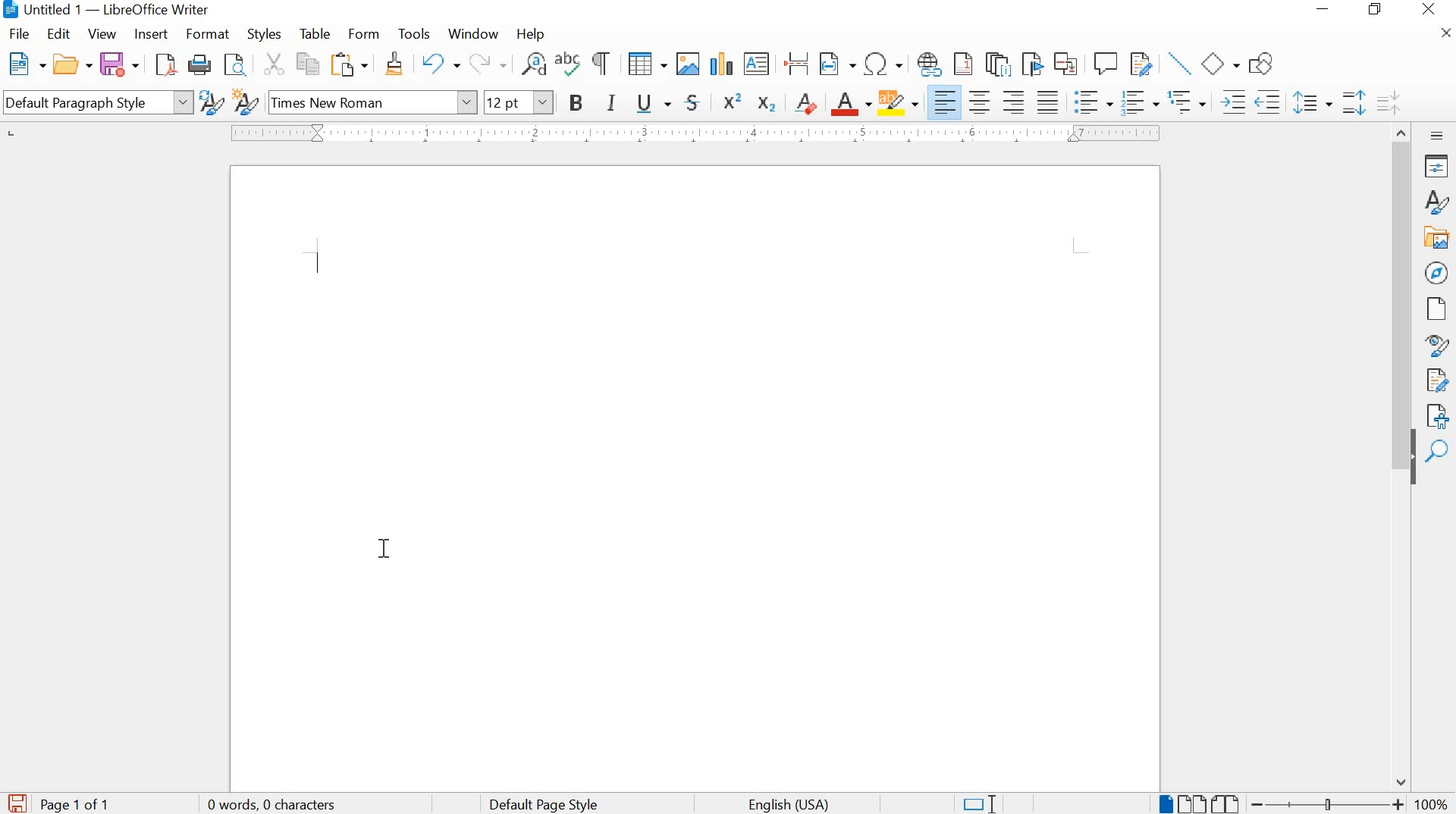 The height and width of the screenshot is (814, 1456). I want to click on SELECT OUTLINE FORMAT, so click(1187, 102).